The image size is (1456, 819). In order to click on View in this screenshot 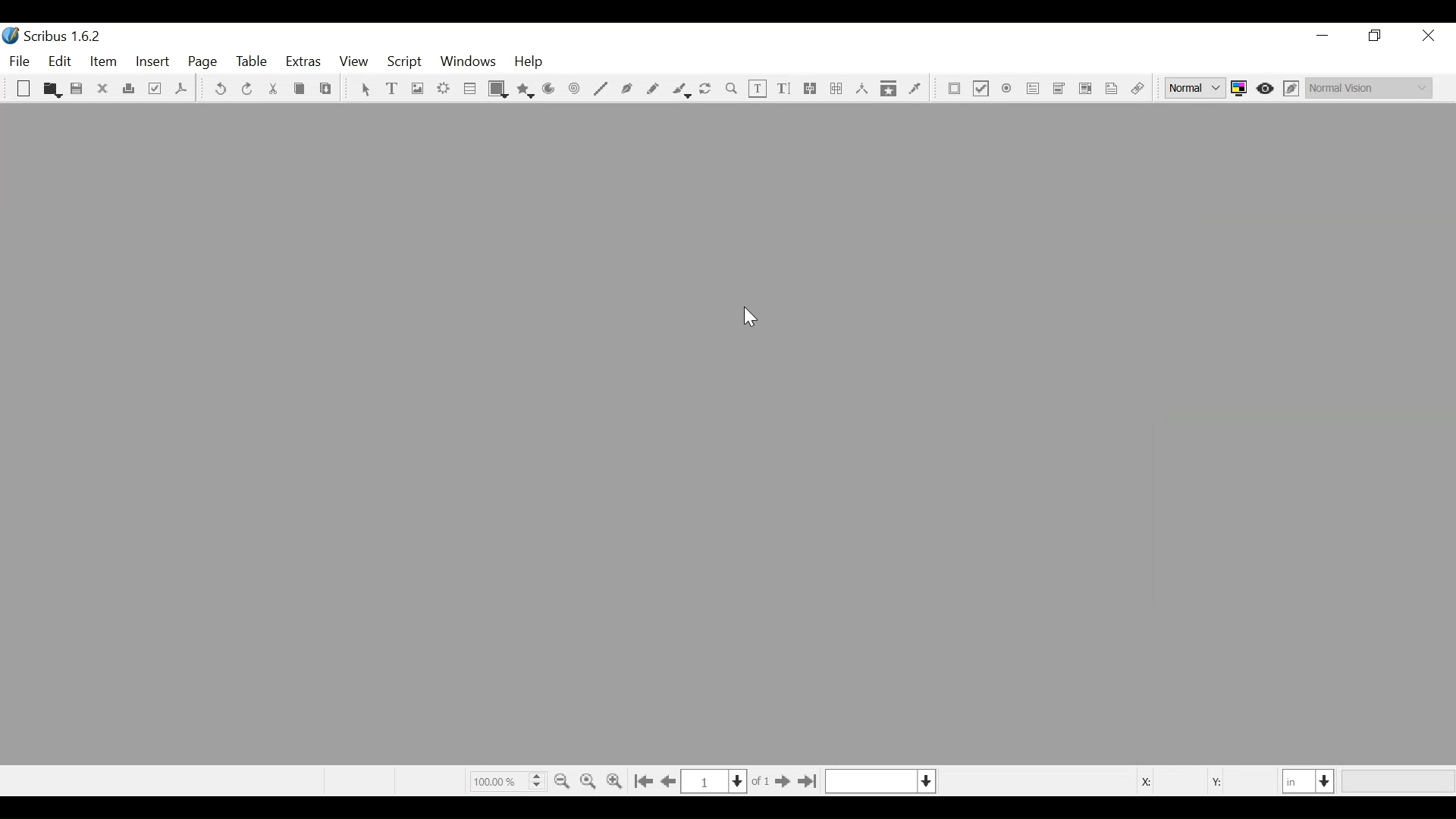, I will do `click(353, 63)`.